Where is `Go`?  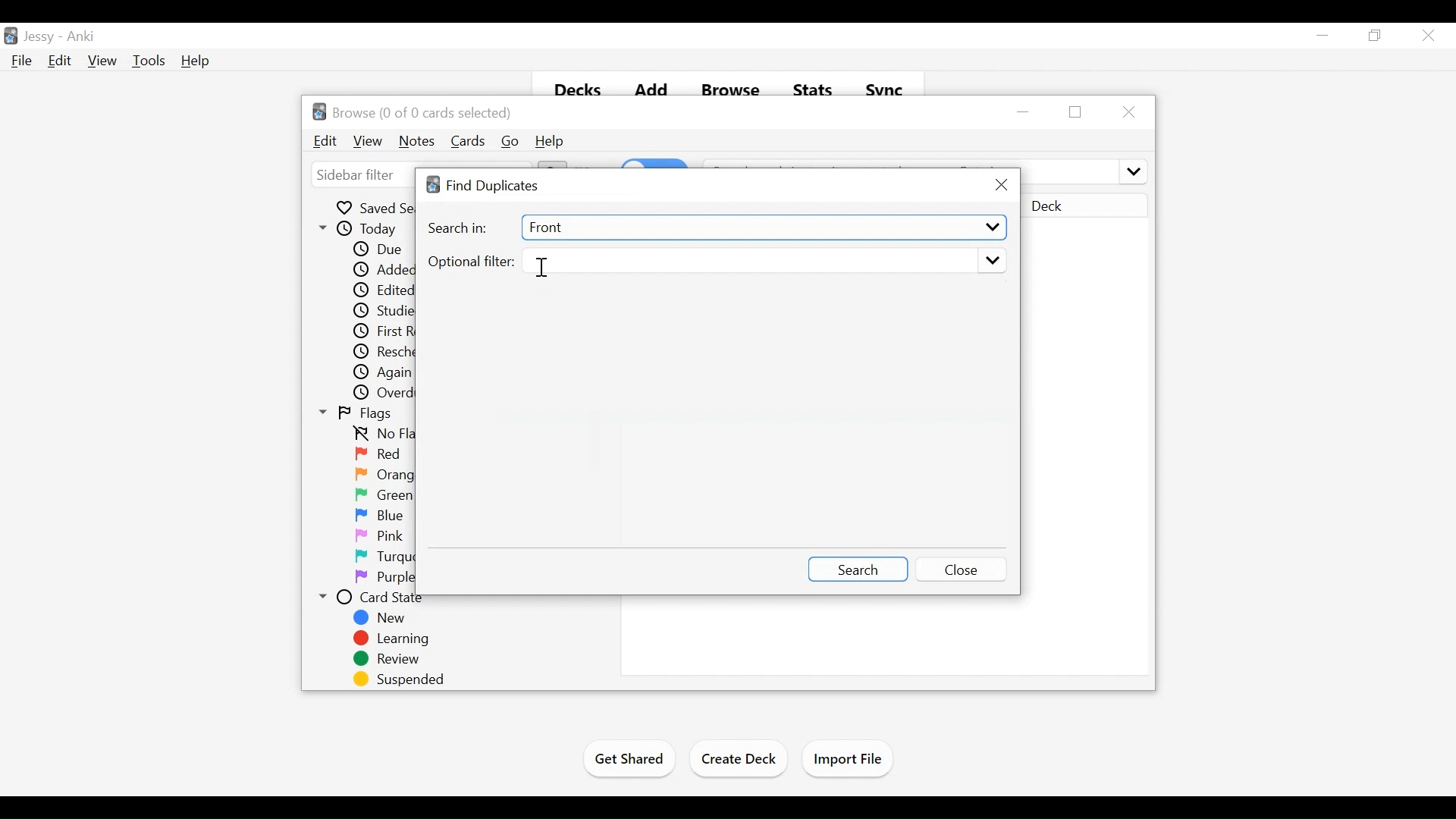
Go is located at coordinates (510, 142).